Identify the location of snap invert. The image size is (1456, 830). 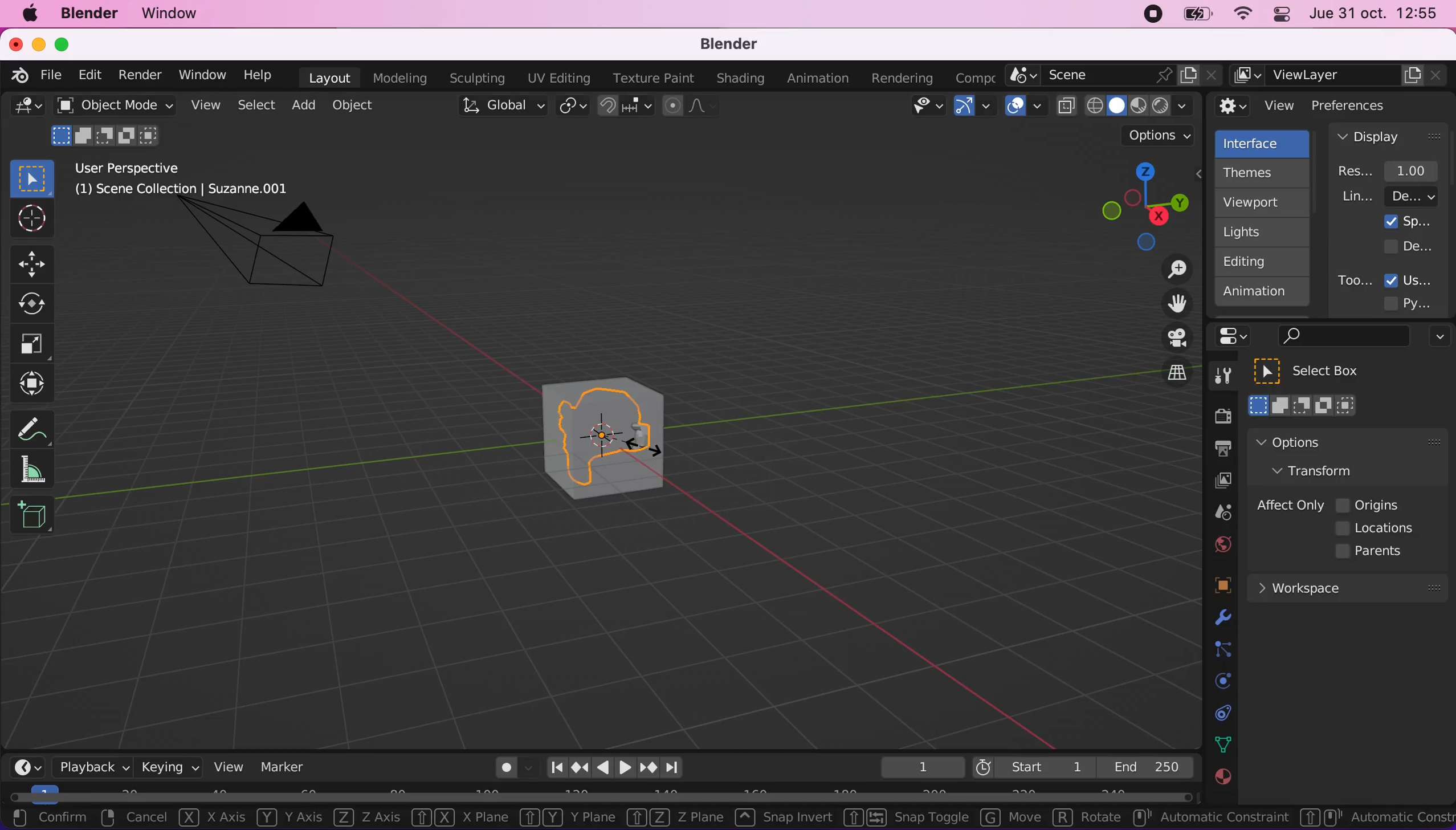
(781, 817).